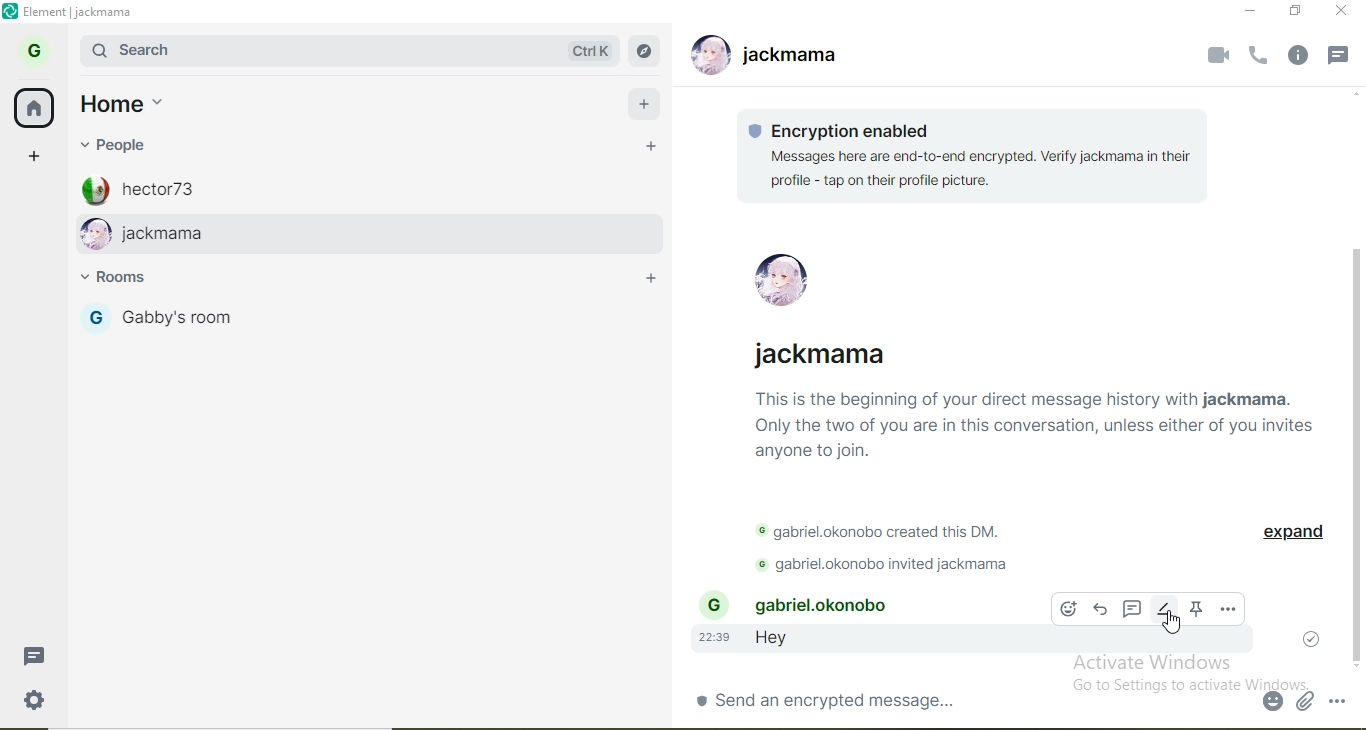  I want to click on emoji, so click(1272, 700).